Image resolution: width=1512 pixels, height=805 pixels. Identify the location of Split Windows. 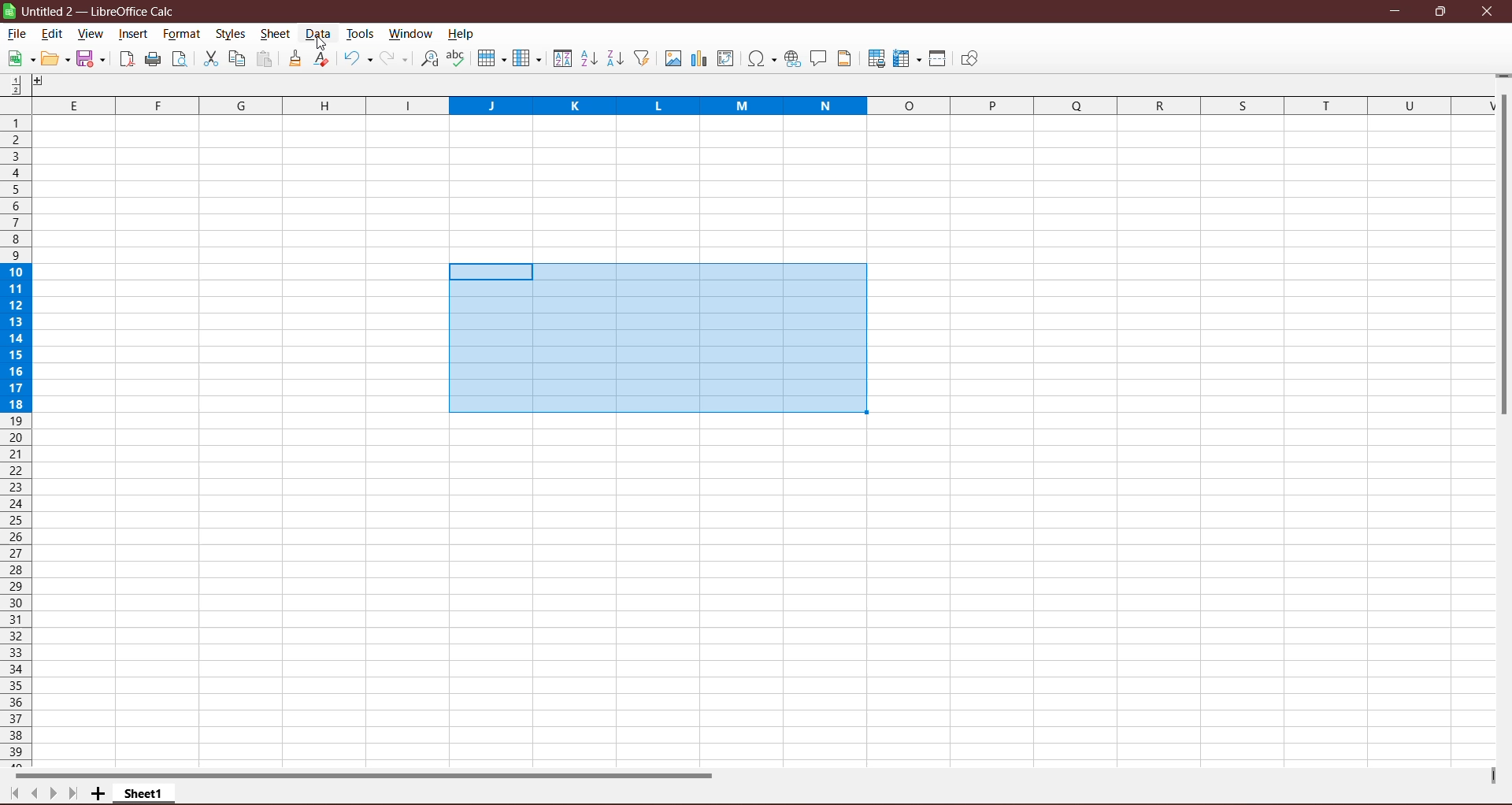
(938, 58).